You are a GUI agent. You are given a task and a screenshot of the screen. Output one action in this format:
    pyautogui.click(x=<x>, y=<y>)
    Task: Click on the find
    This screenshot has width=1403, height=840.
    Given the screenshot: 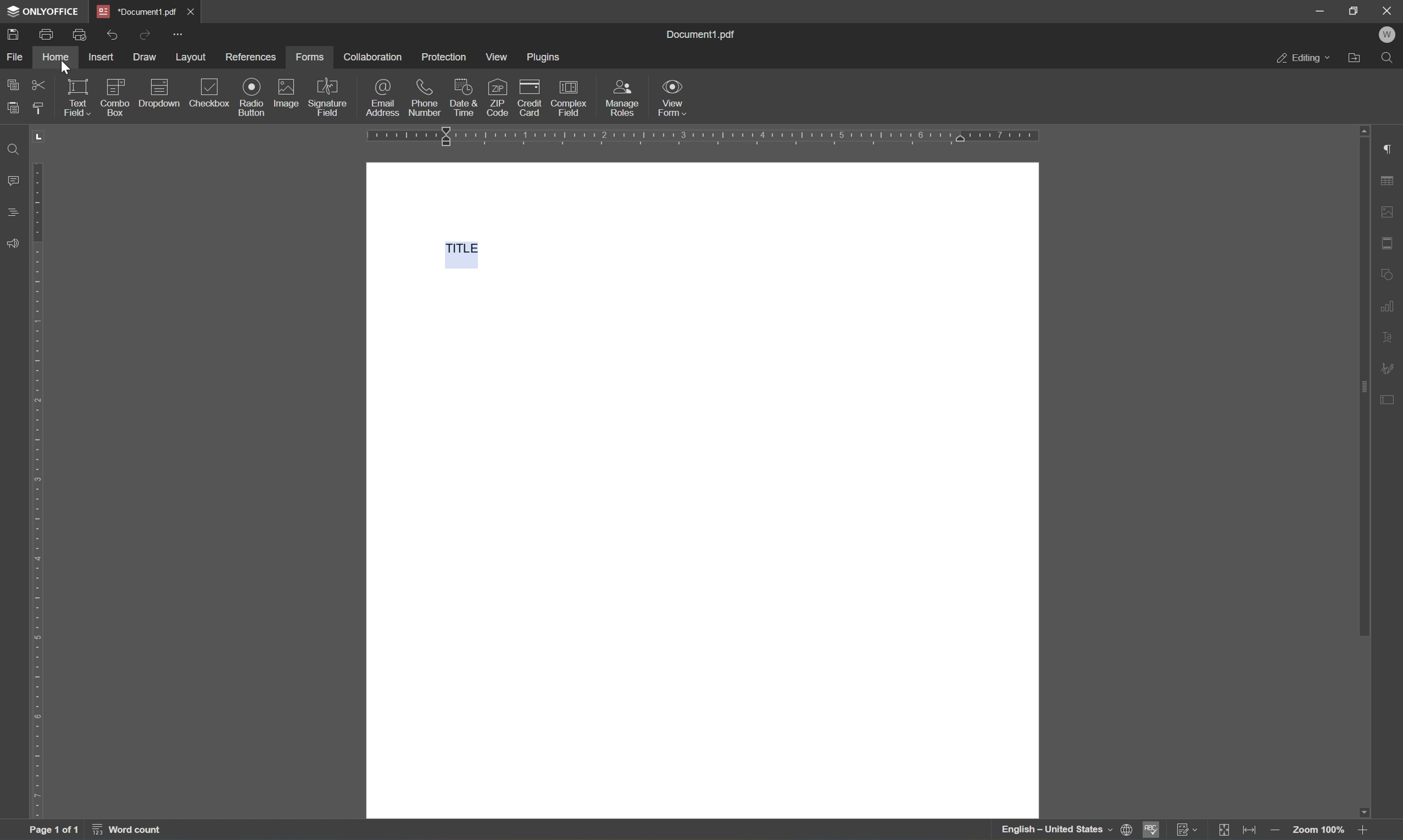 What is the action you would take?
    pyautogui.click(x=16, y=149)
    